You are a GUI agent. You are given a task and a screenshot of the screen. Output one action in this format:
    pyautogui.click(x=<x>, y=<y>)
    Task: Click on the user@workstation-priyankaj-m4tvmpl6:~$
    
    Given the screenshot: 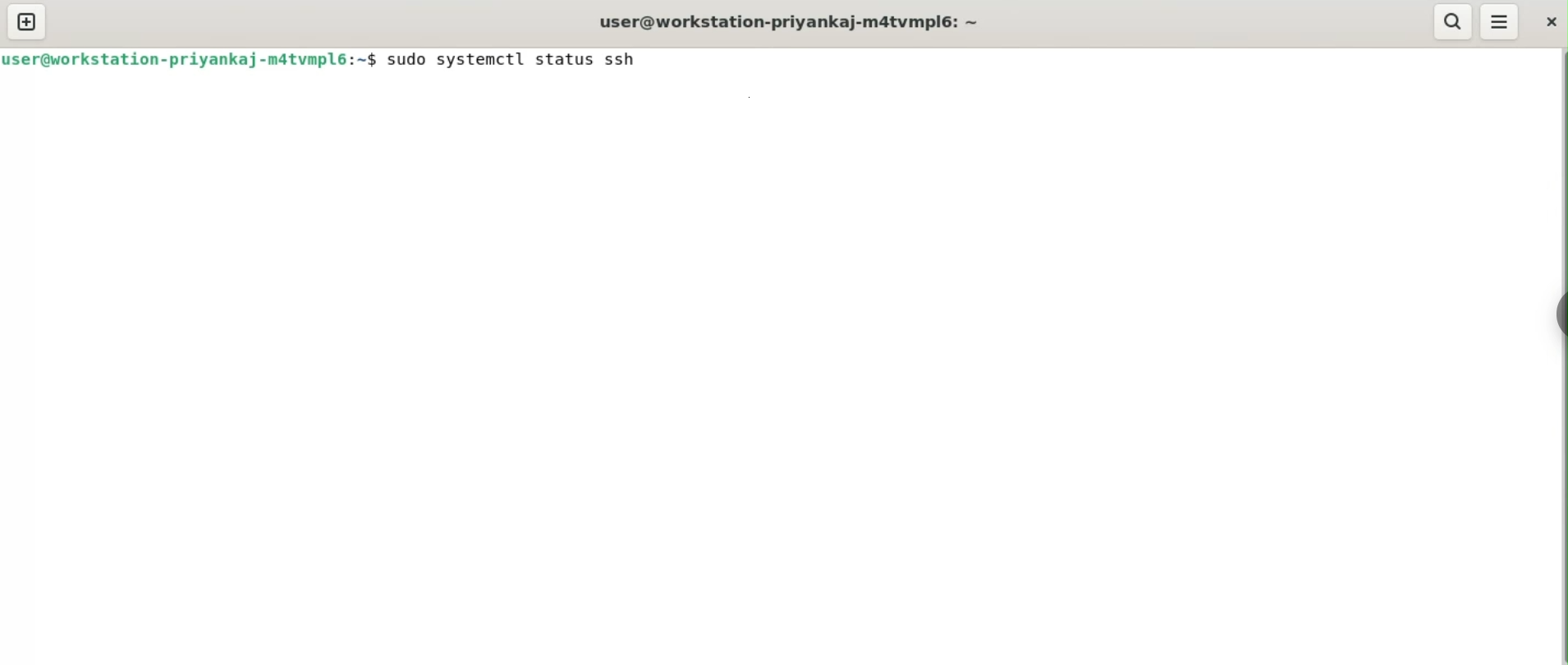 What is the action you would take?
    pyautogui.click(x=190, y=58)
    